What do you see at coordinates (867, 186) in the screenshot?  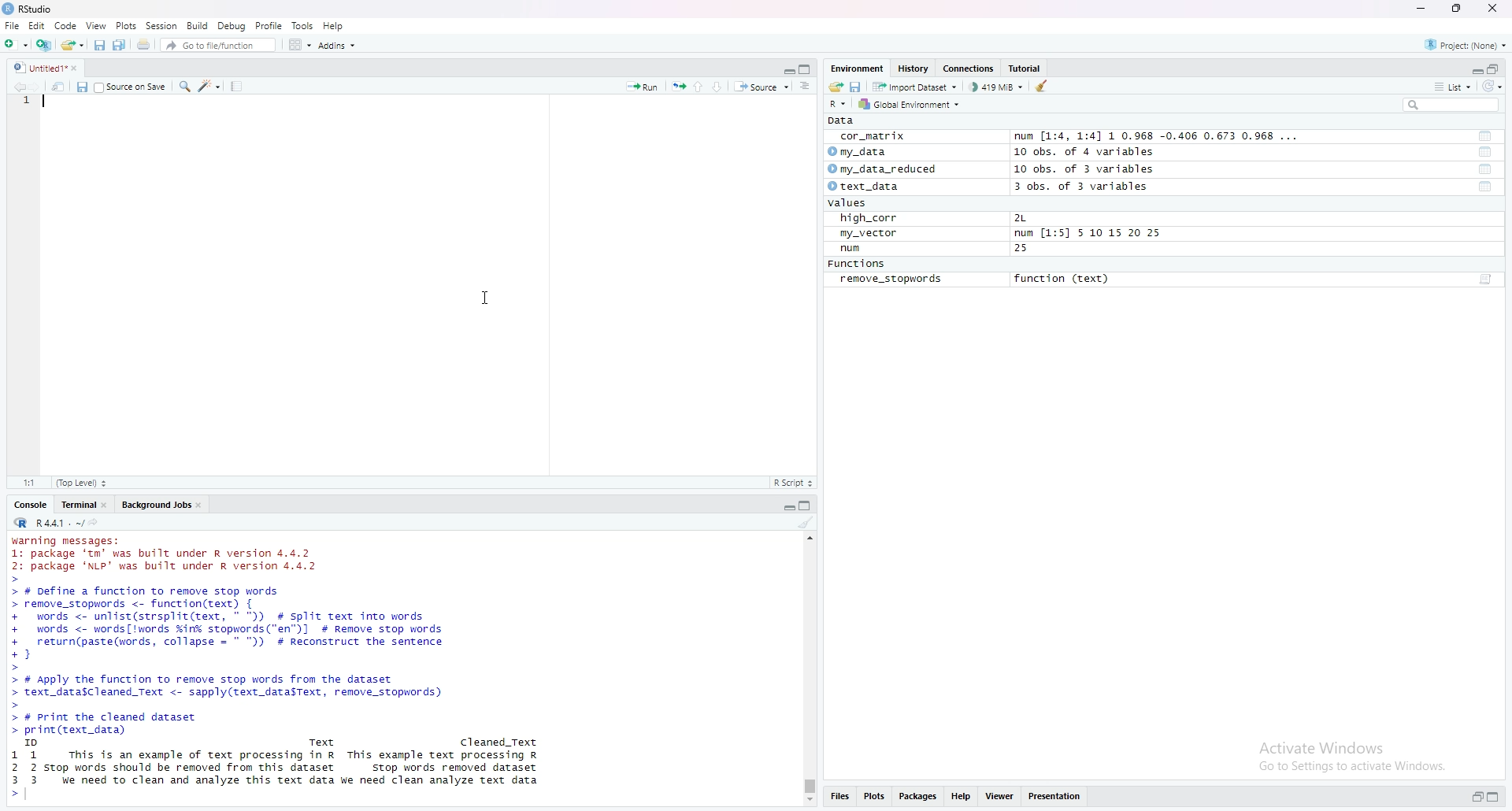 I see `text_data` at bounding box center [867, 186].